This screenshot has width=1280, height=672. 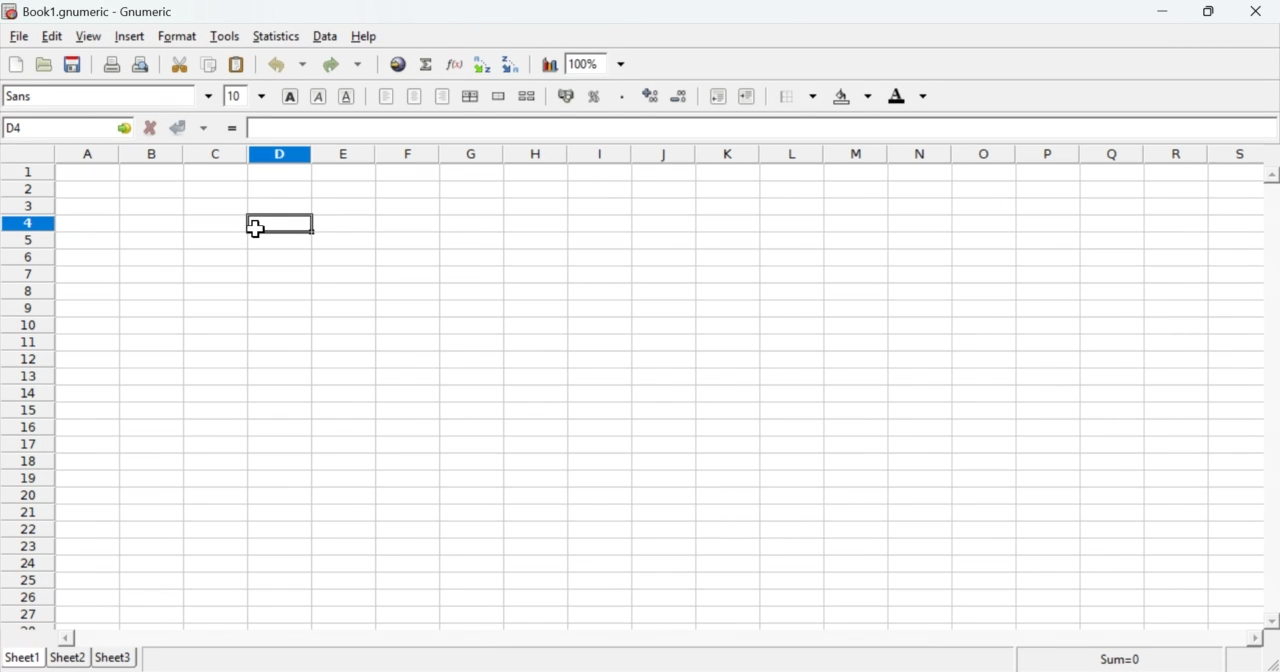 What do you see at coordinates (72, 65) in the screenshot?
I see `Save` at bounding box center [72, 65].